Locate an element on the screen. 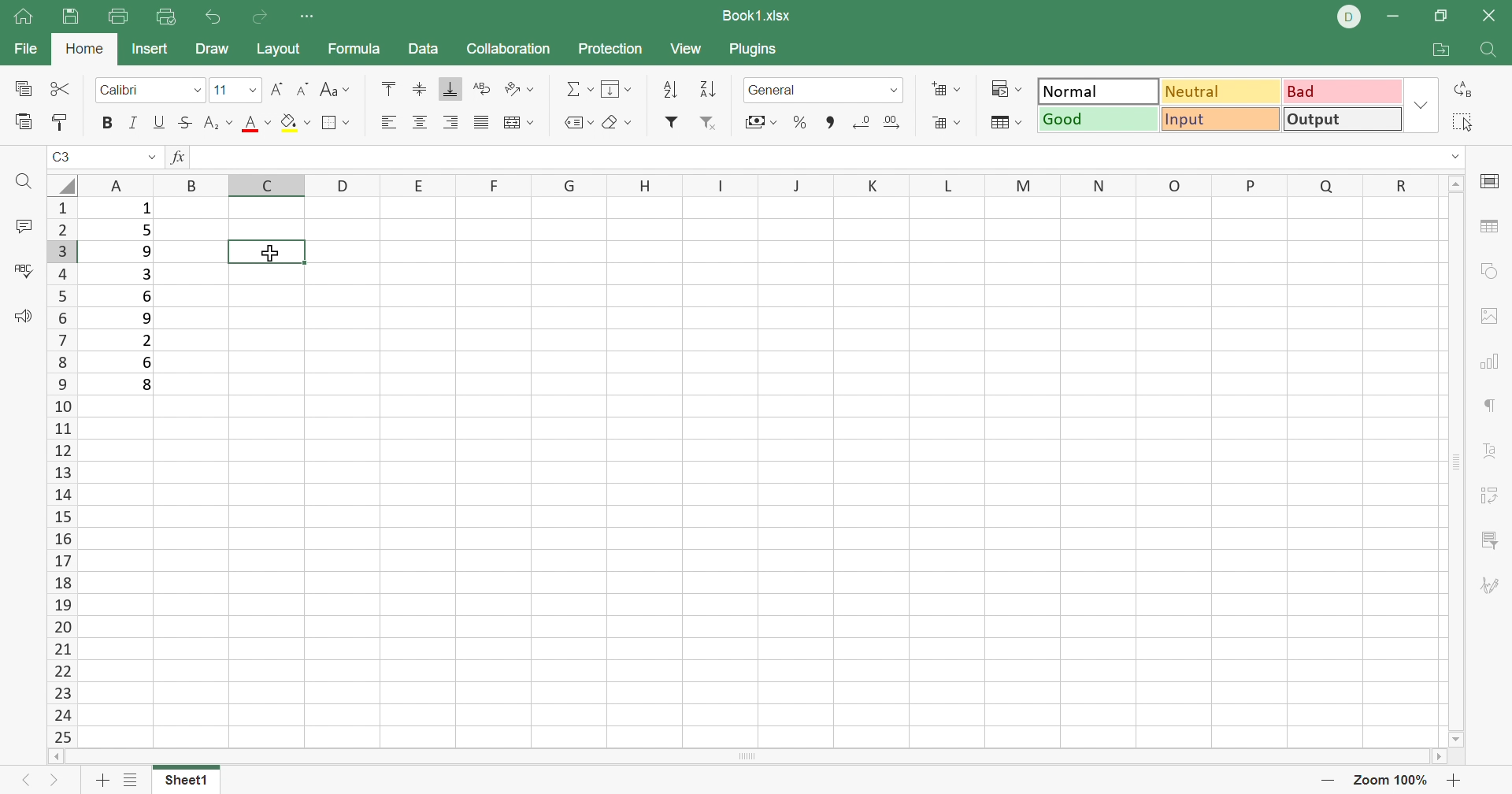 The width and height of the screenshot is (1512, 794). Increment font size is located at coordinates (277, 88).